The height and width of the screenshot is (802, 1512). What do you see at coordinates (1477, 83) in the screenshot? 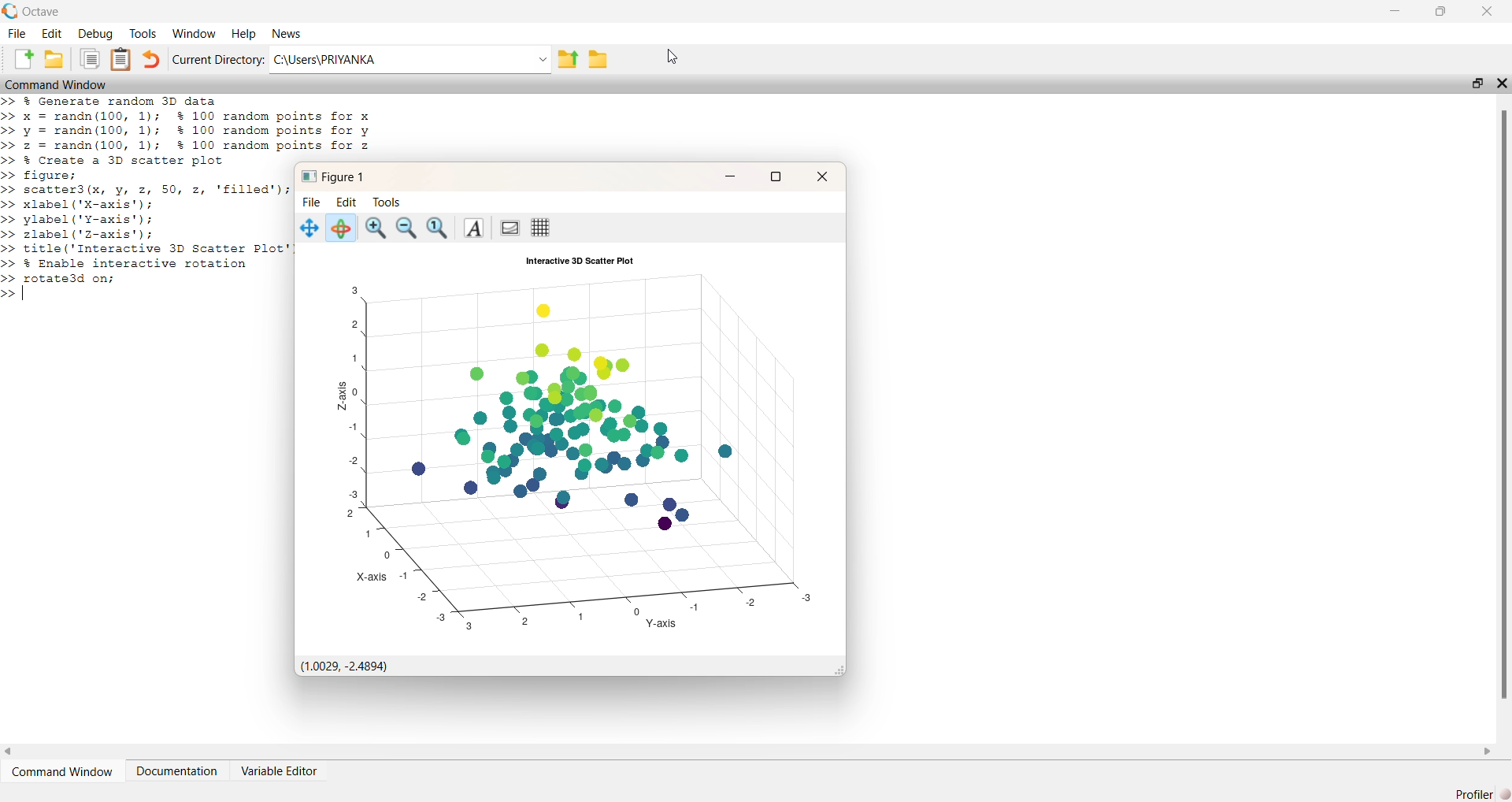
I see `resize` at bounding box center [1477, 83].